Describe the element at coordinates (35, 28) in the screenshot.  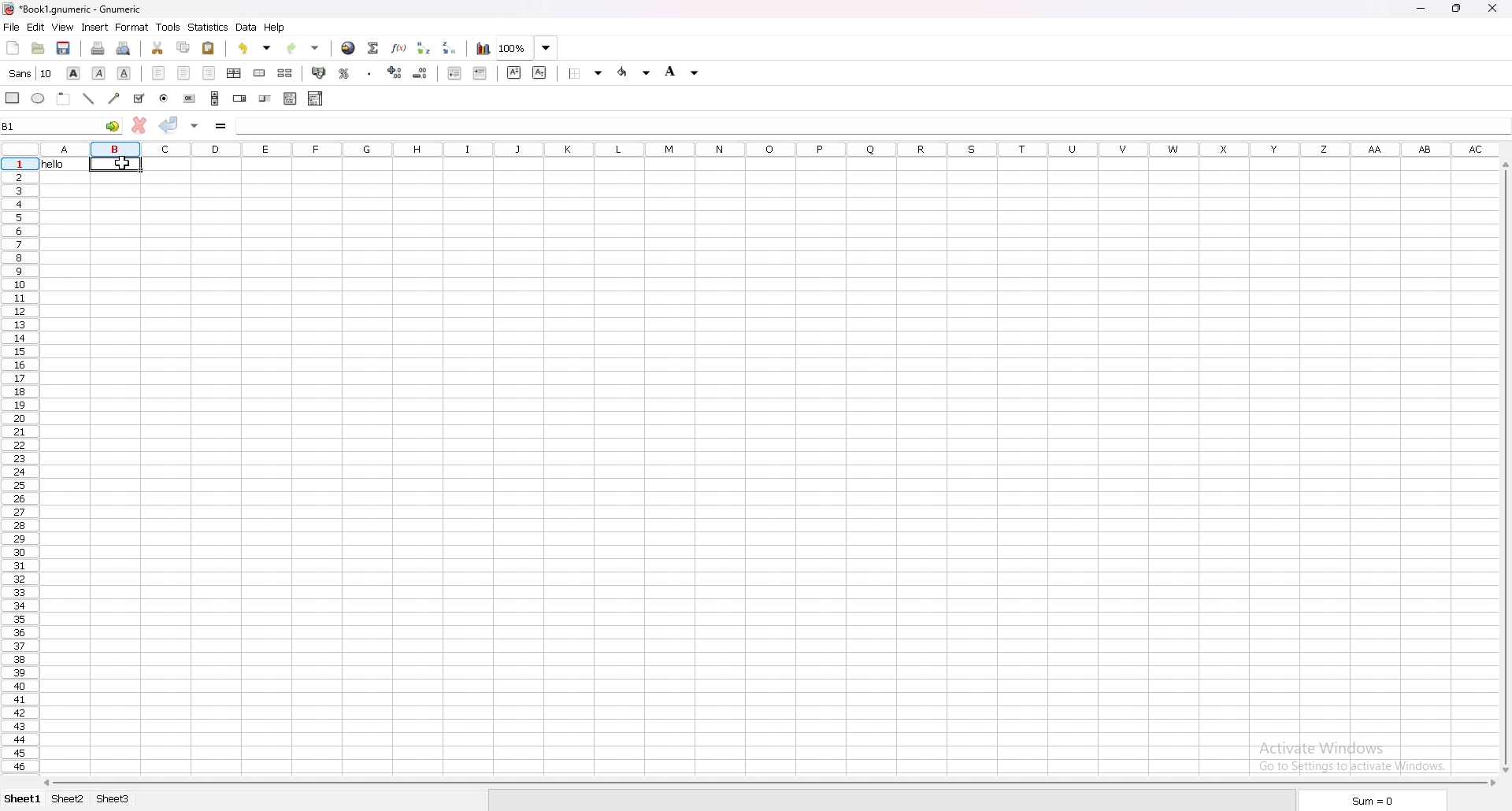
I see `edit` at that location.